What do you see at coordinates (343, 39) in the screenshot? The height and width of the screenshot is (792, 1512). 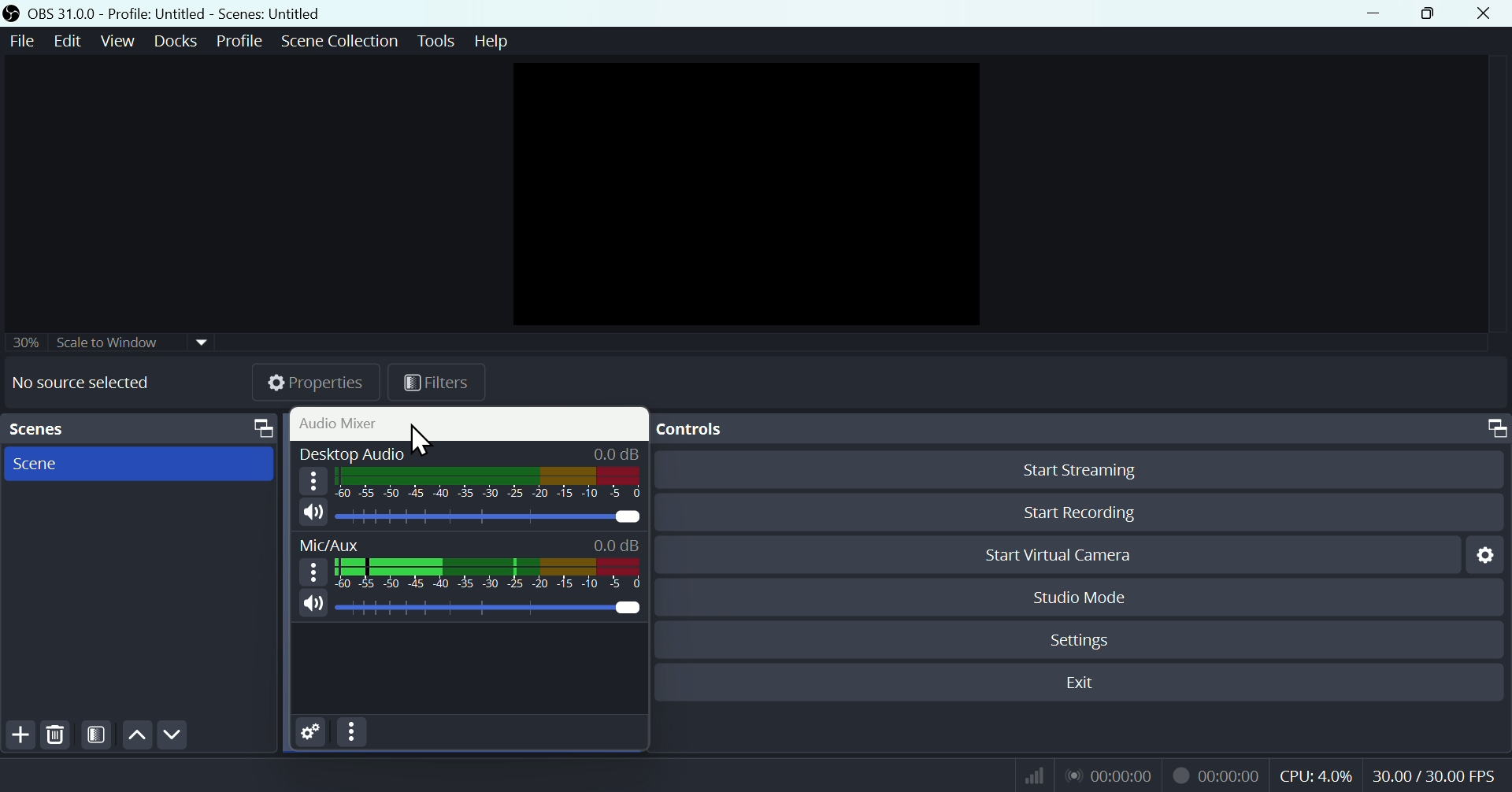 I see `Scene collection` at bounding box center [343, 39].